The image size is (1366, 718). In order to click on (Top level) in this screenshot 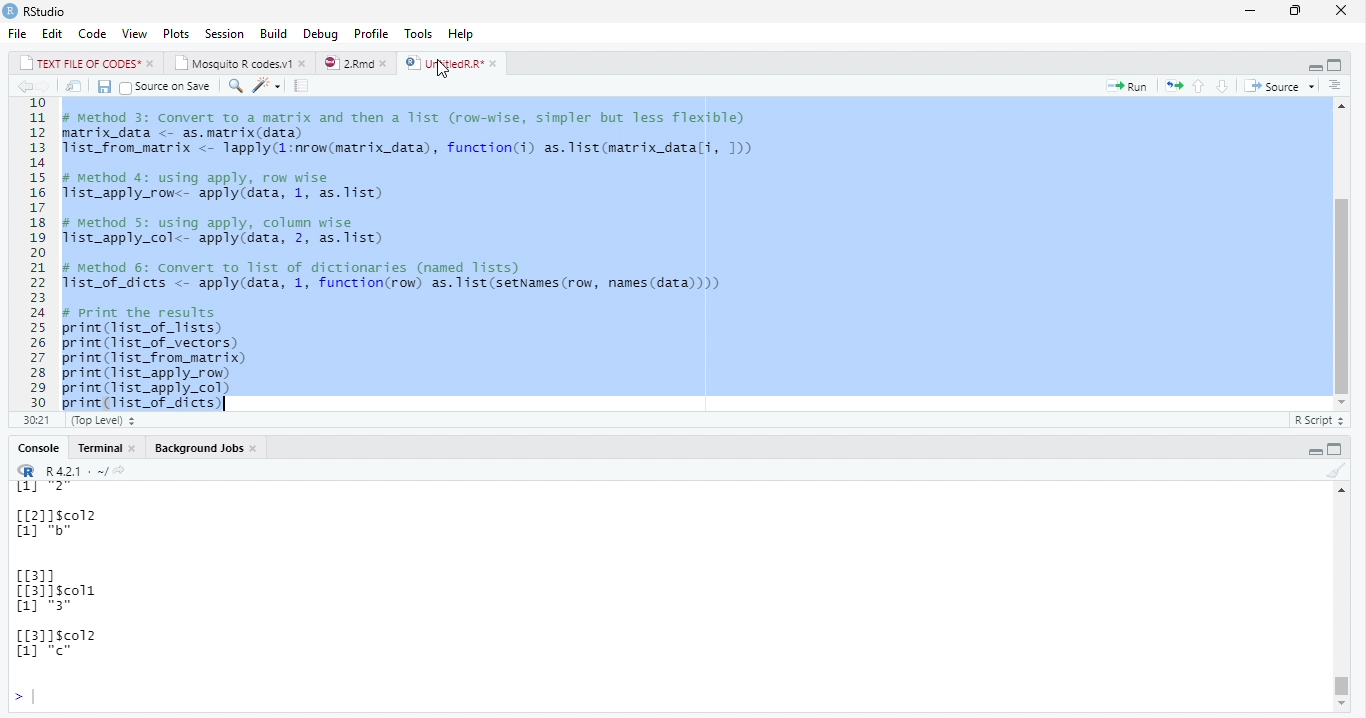, I will do `click(107, 421)`.